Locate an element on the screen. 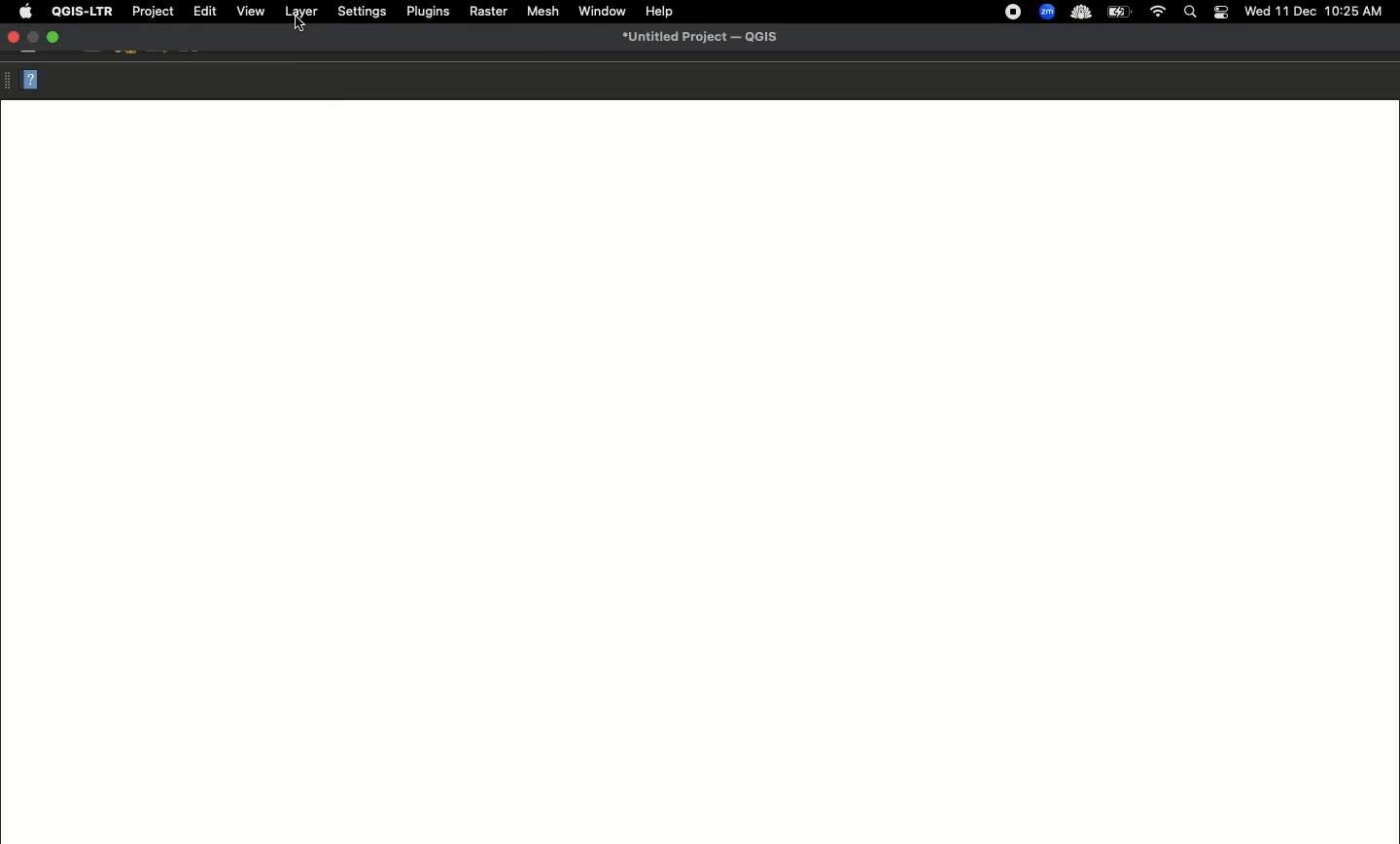  Mesh is located at coordinates (540, 11).